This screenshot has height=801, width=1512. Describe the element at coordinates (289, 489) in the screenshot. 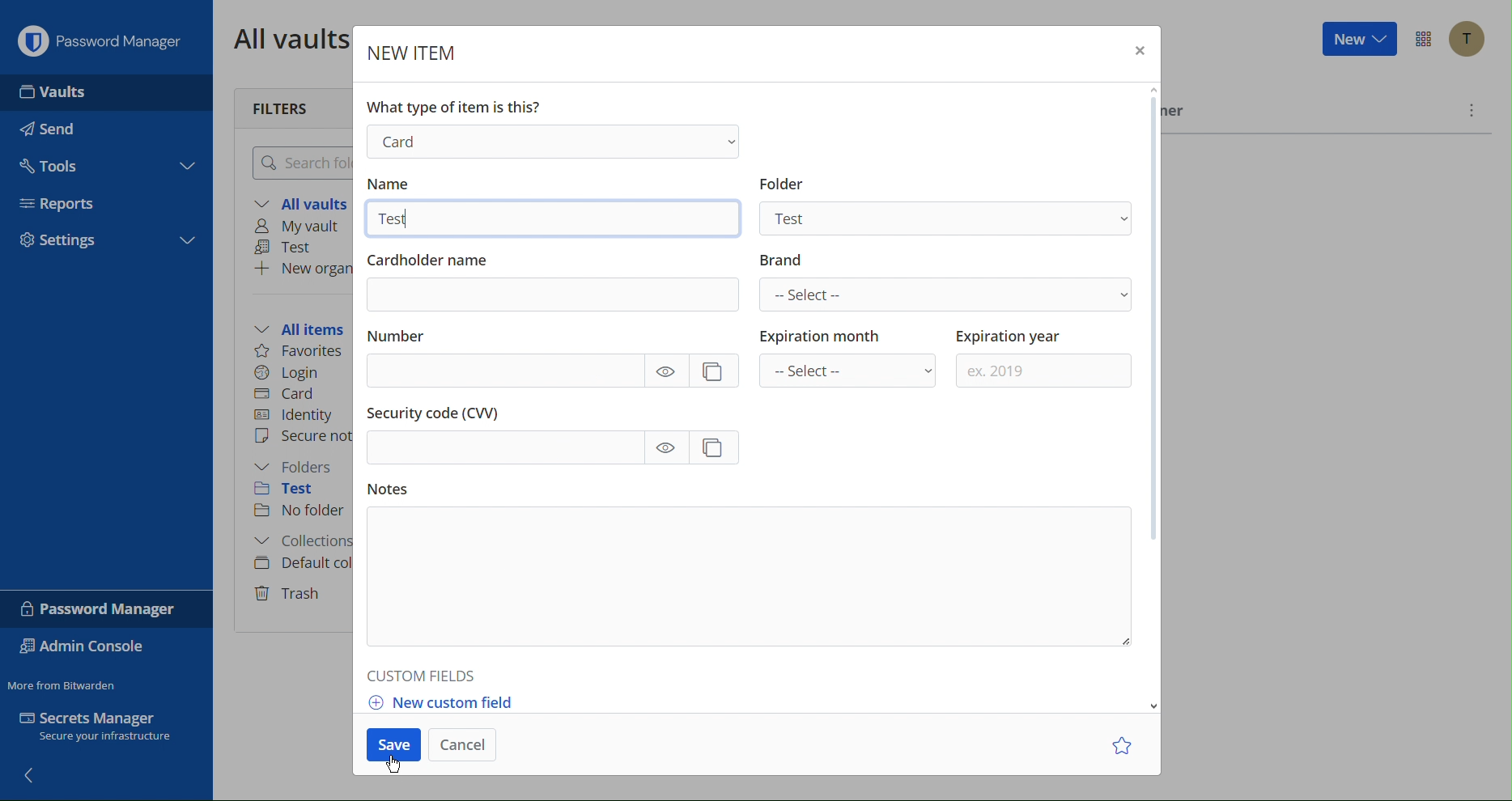

I see `Test` at that location.